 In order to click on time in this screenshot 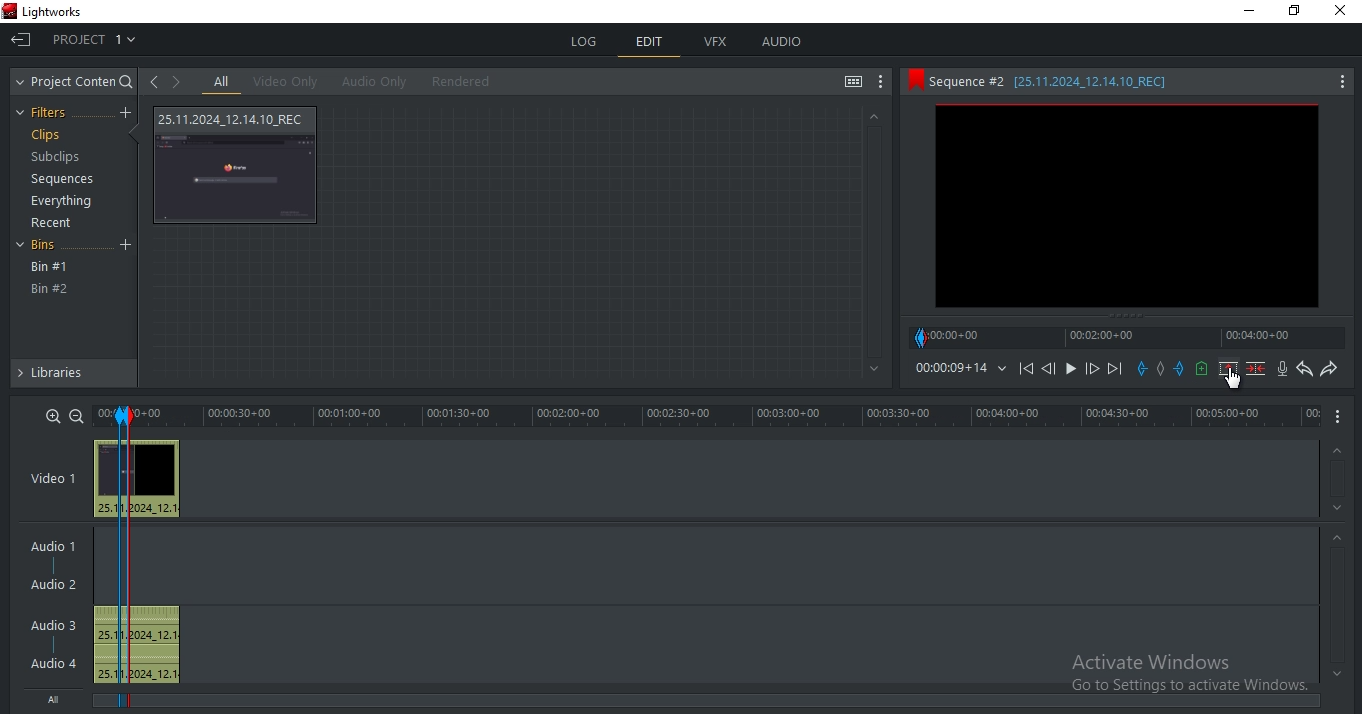, I will do `click(960, 368)`.